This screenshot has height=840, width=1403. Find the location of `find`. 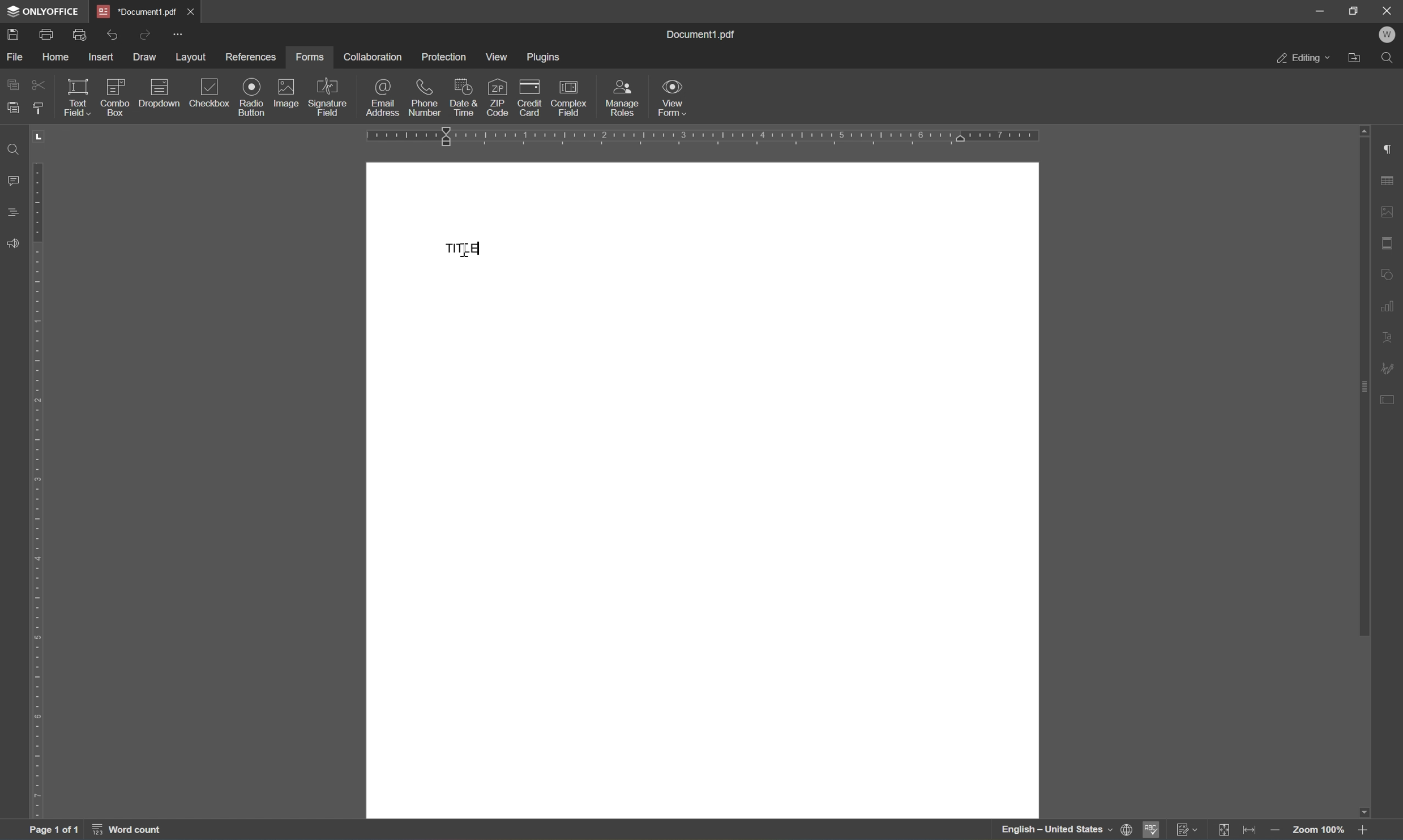

find is located at coordinates (1391, 57).